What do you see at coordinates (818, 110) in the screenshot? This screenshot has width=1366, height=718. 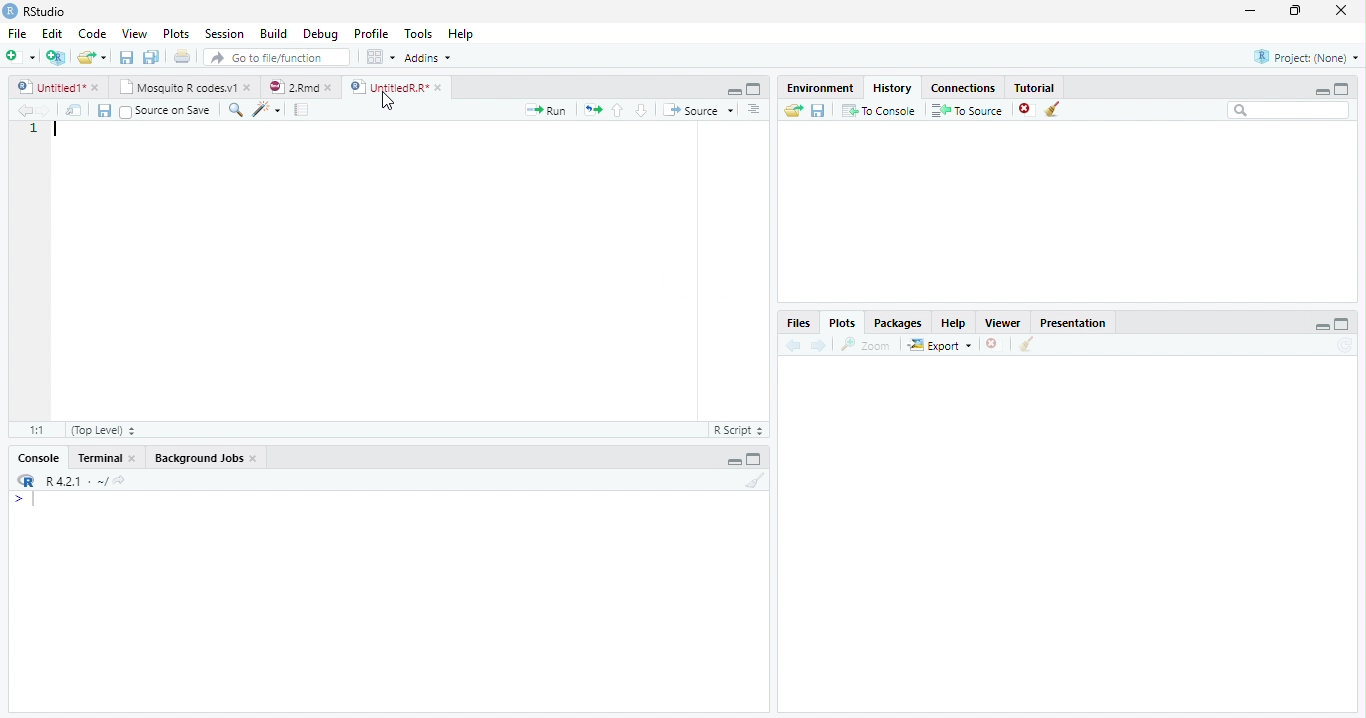 I see `Save history into a file` at bounding box center [818, 110].